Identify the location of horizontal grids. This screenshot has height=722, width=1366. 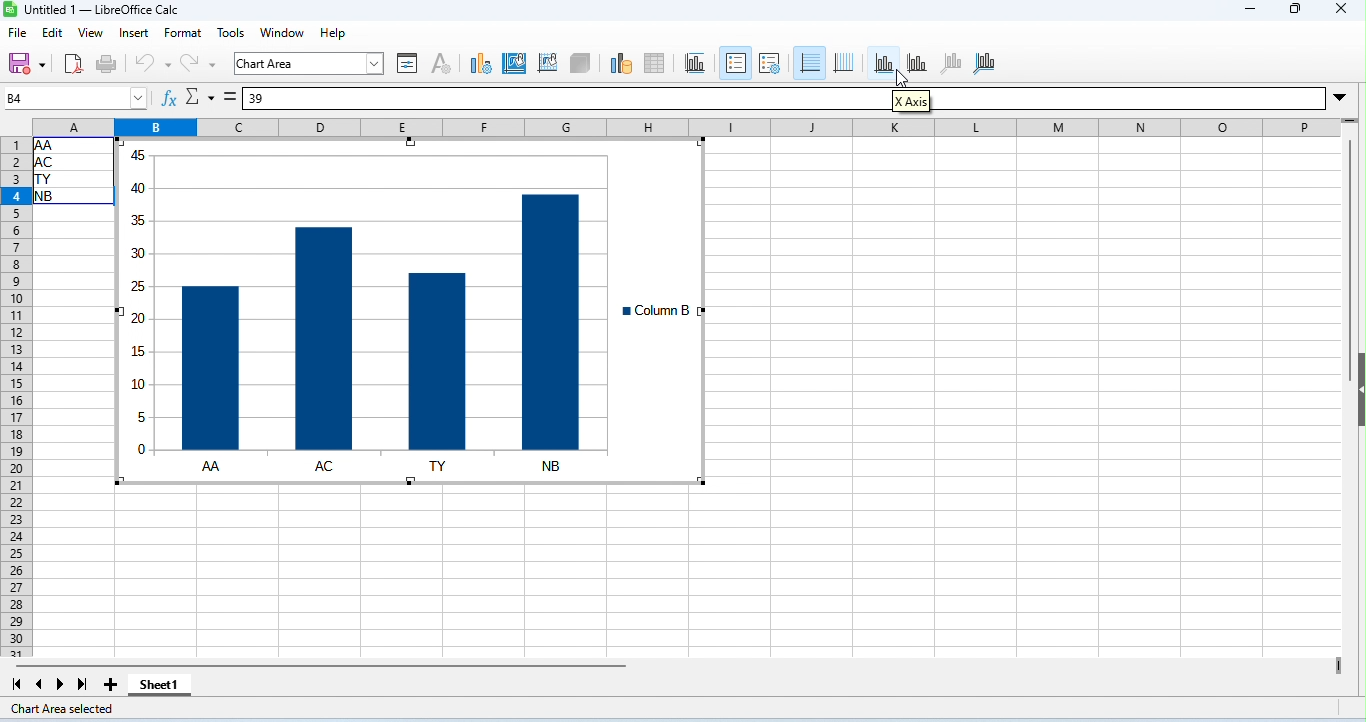
(810, 62).